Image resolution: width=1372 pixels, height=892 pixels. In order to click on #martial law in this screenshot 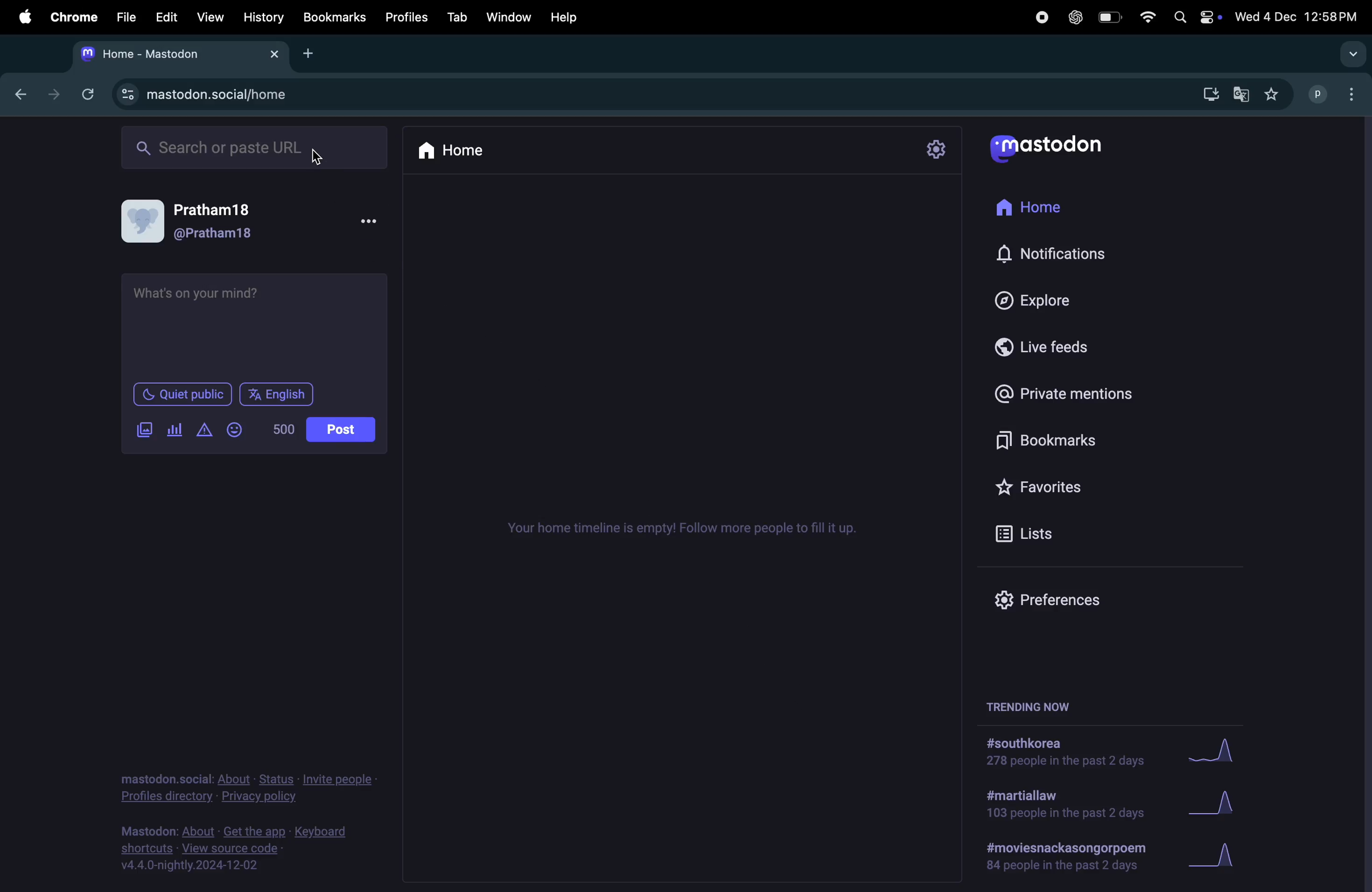, I will do `click(1064, 807)`.